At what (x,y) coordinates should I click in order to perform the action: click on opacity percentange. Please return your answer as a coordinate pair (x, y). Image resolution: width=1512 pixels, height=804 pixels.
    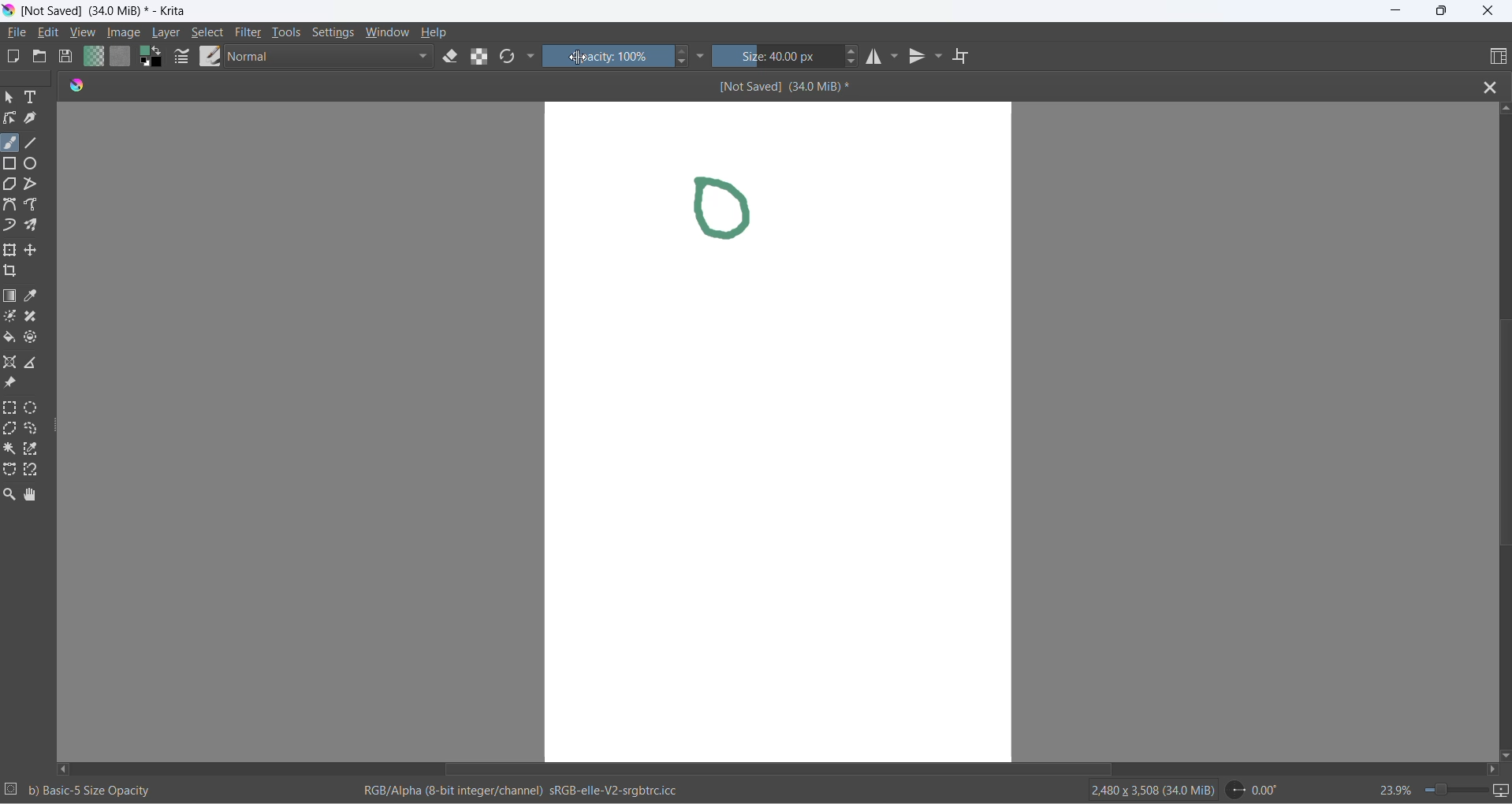
    Looking at the image, I should click on (614, 59).